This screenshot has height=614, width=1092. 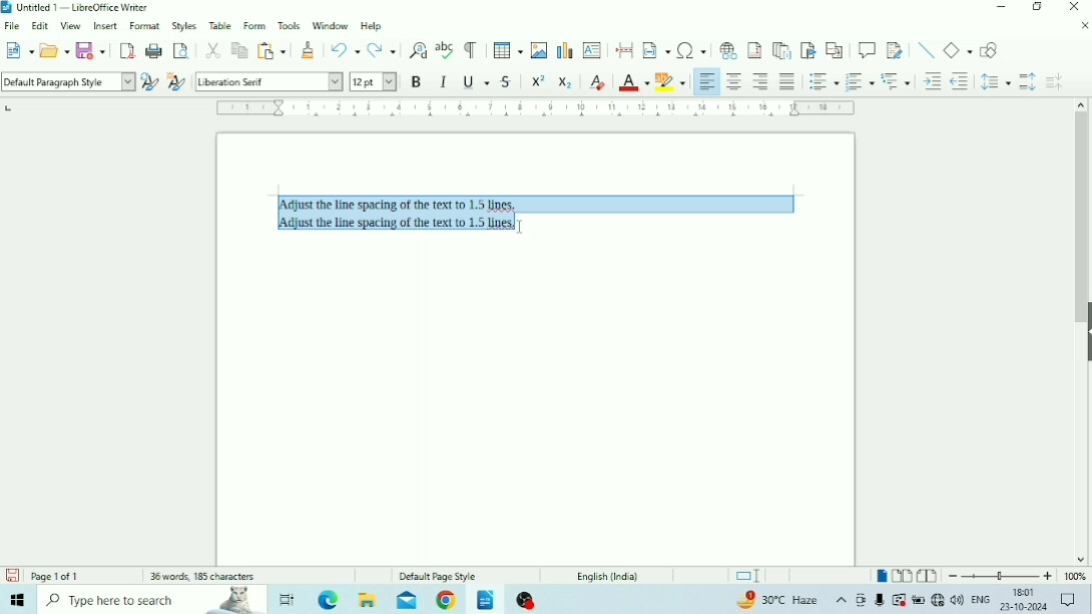 I want to click on Mail, so click(x=408, y=600).